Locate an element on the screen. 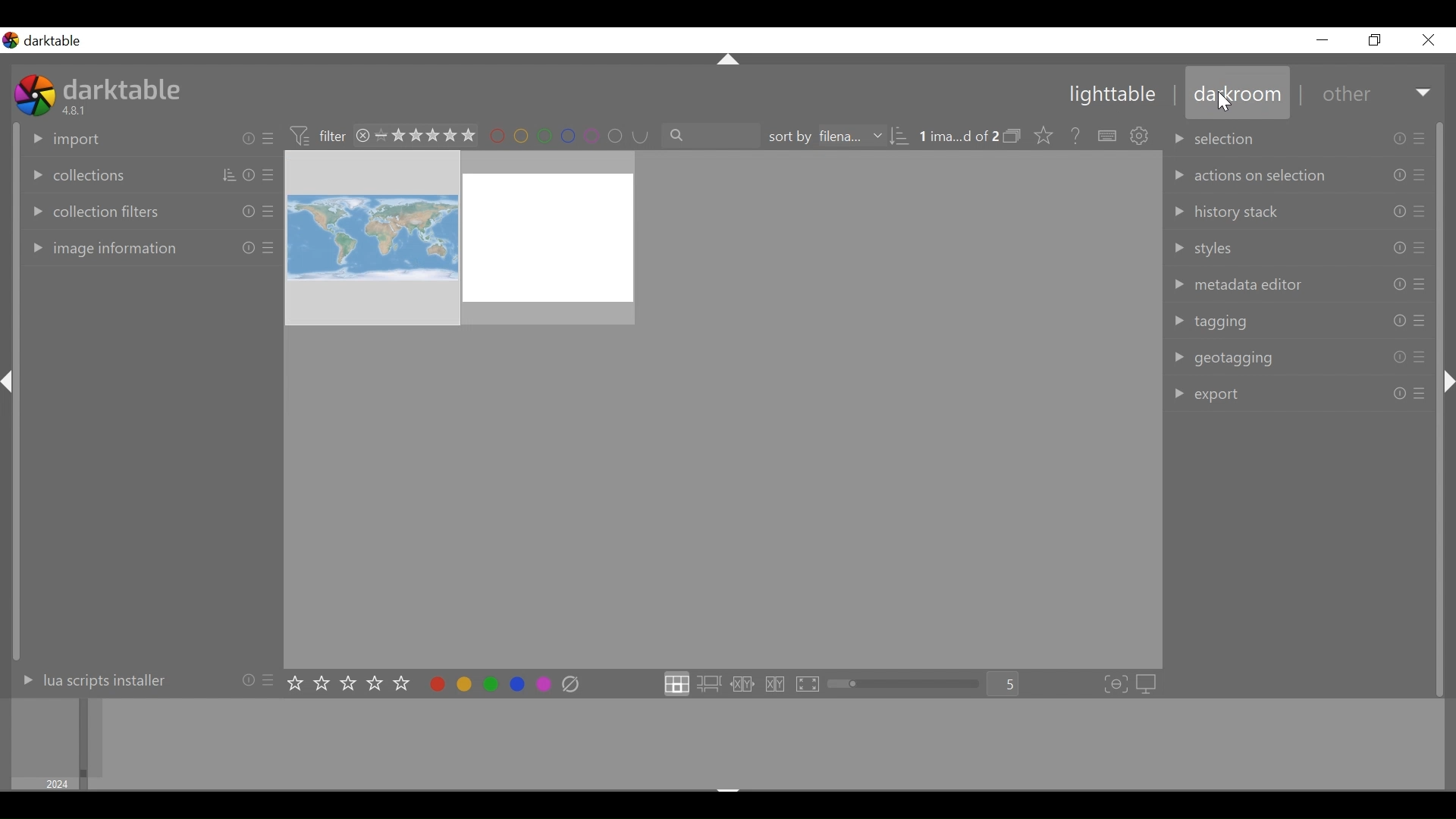  Close is located at coordinates (1427, 39).